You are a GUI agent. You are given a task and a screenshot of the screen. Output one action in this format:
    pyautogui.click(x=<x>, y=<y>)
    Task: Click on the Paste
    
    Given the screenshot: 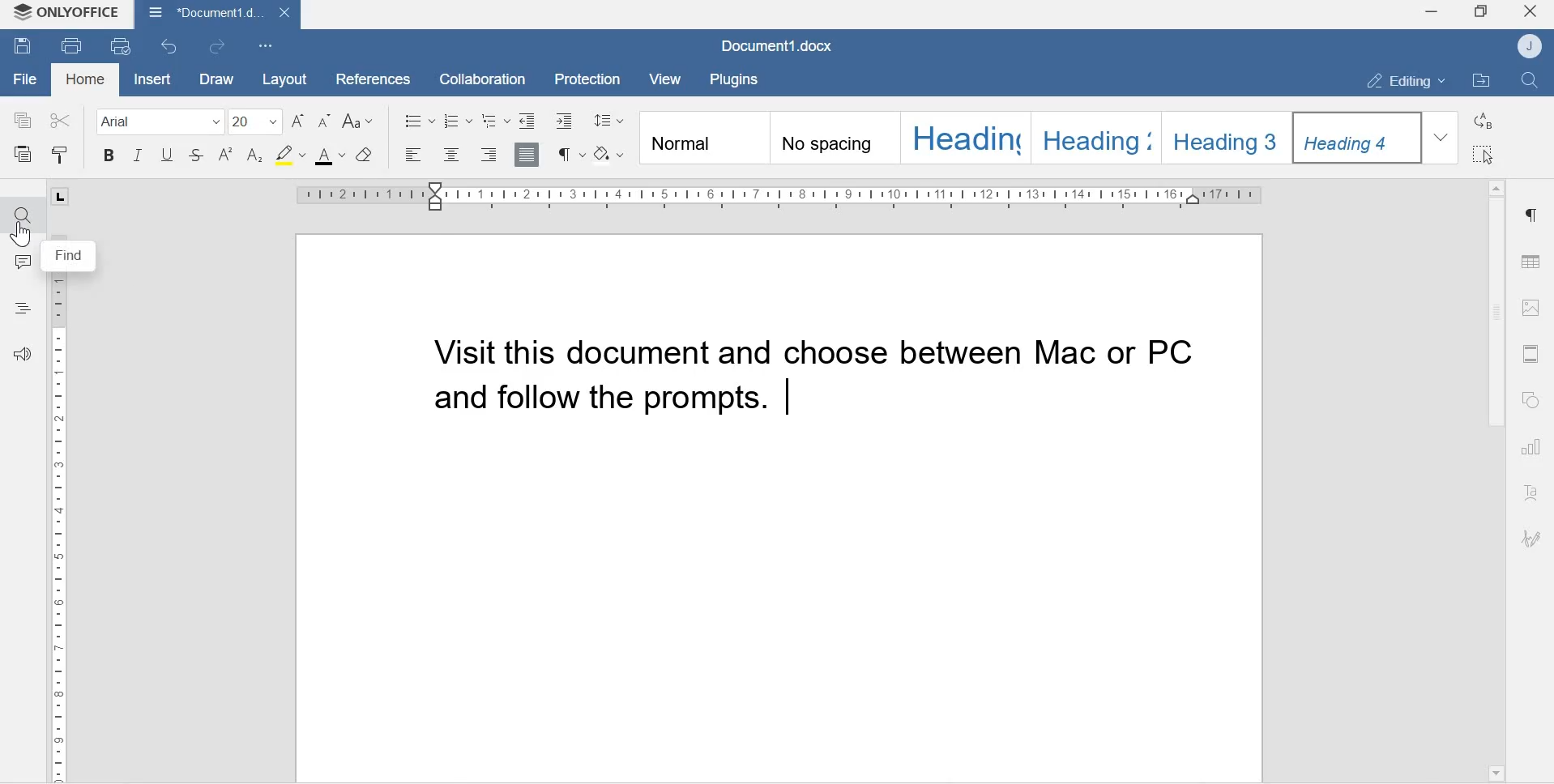 What is the action you would take?
    pyautogui.click(x=25, y=156)
    